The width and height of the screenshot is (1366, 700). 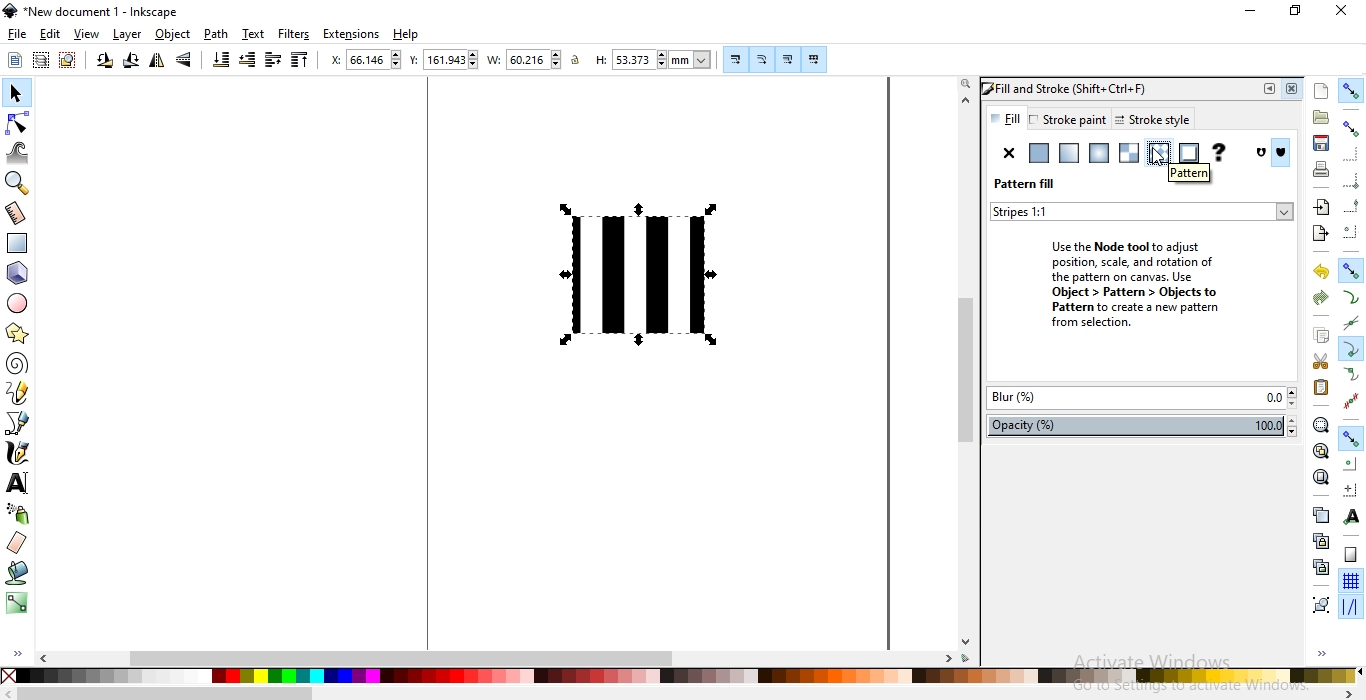 What do you see at coordinates (1321, 388) in the screenshot?
I see `paste selection` at bounding box center [1321, 388].